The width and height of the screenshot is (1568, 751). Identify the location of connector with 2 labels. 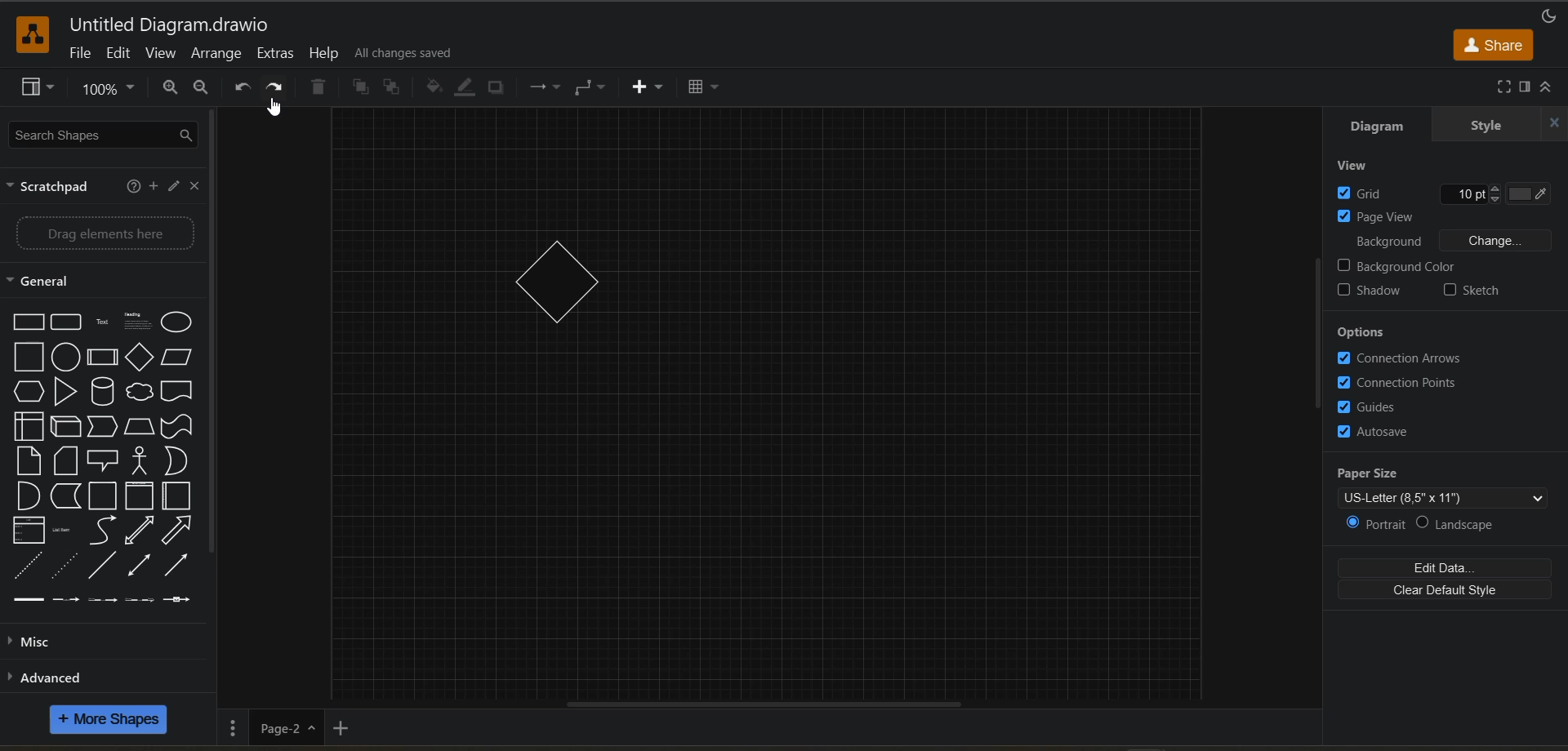
(101, 599).